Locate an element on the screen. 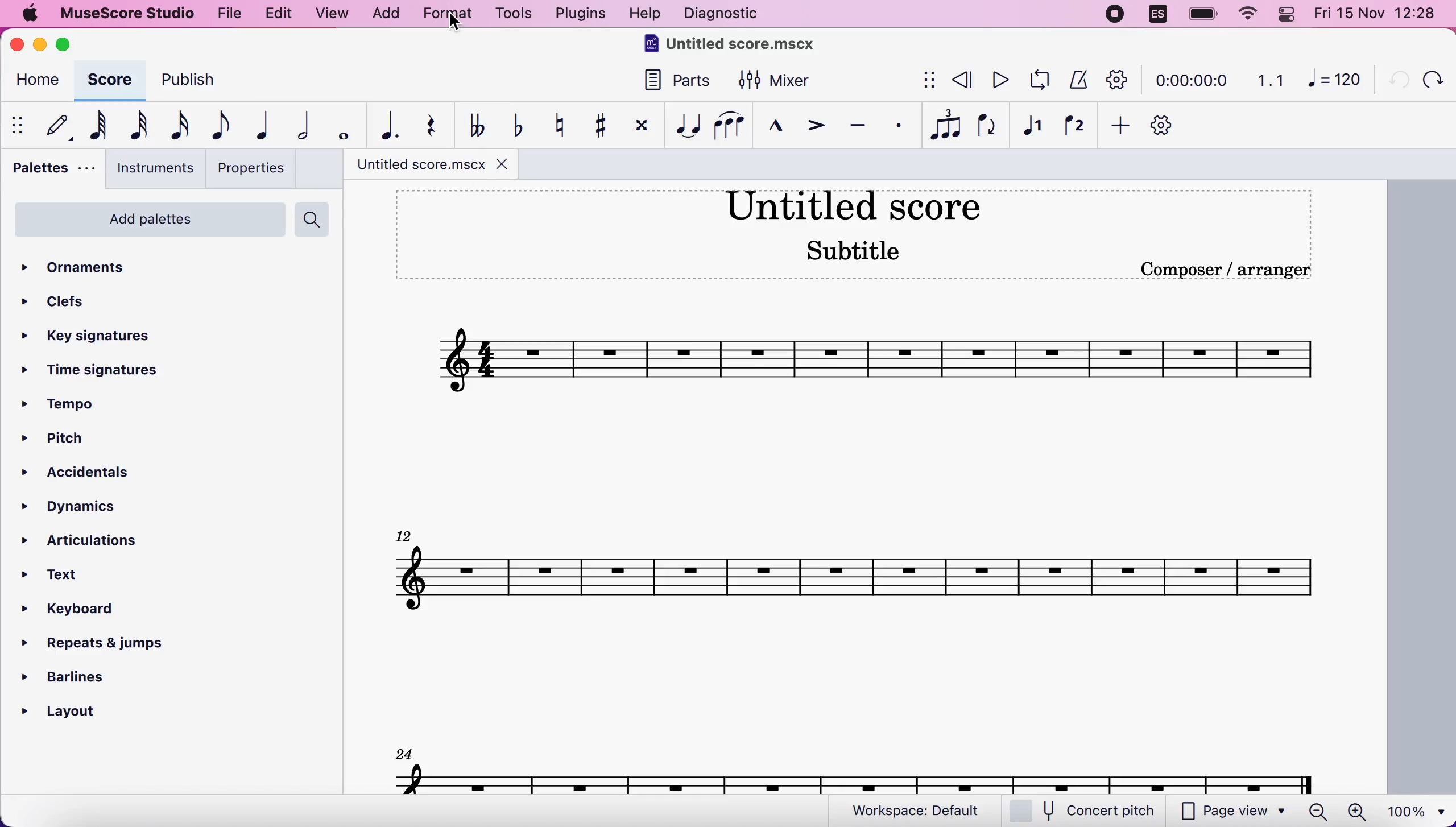  tie is located at coordinates (685, 126).